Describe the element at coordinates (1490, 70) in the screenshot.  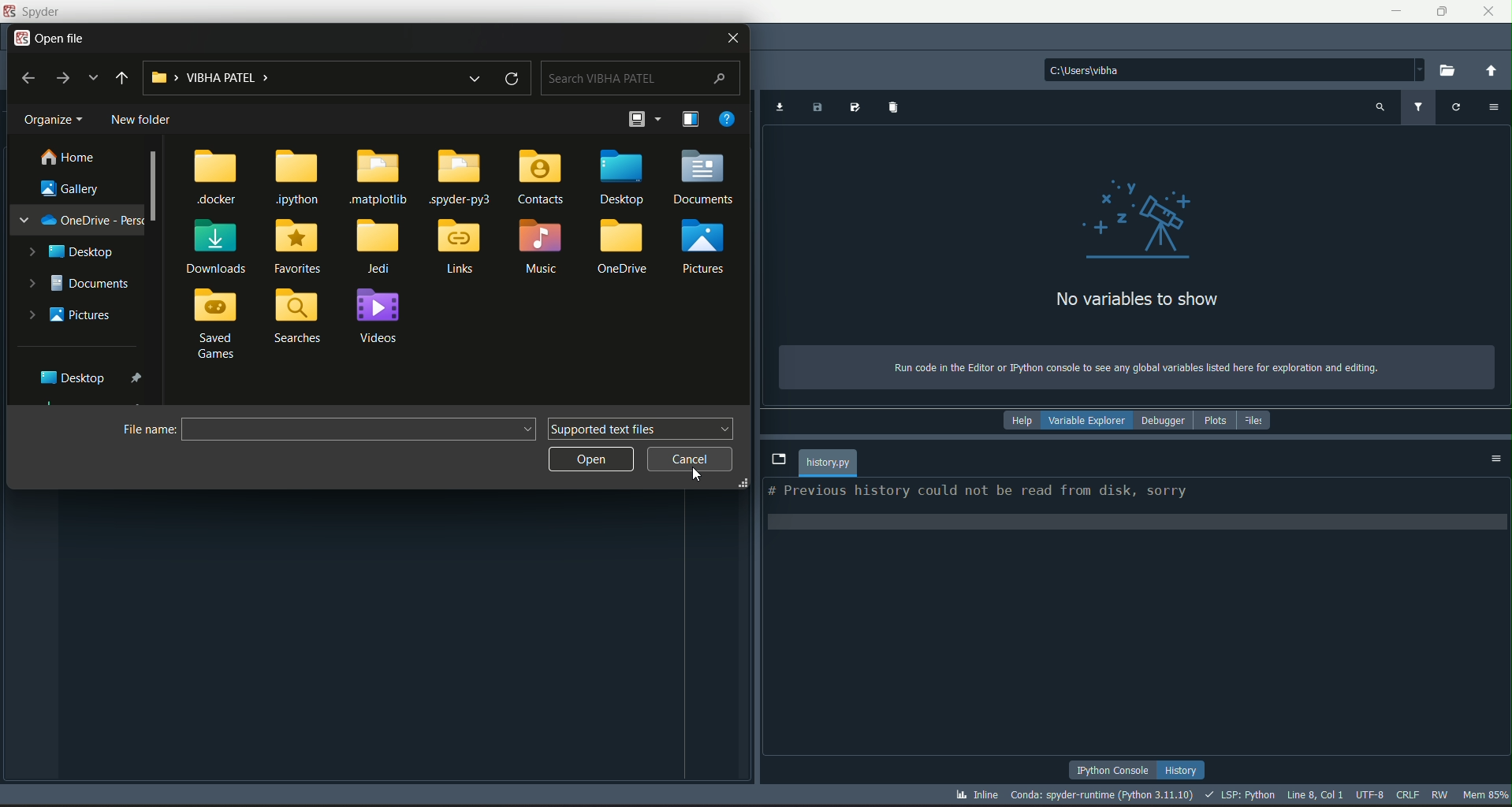
I see `change to parent directory` at that location.